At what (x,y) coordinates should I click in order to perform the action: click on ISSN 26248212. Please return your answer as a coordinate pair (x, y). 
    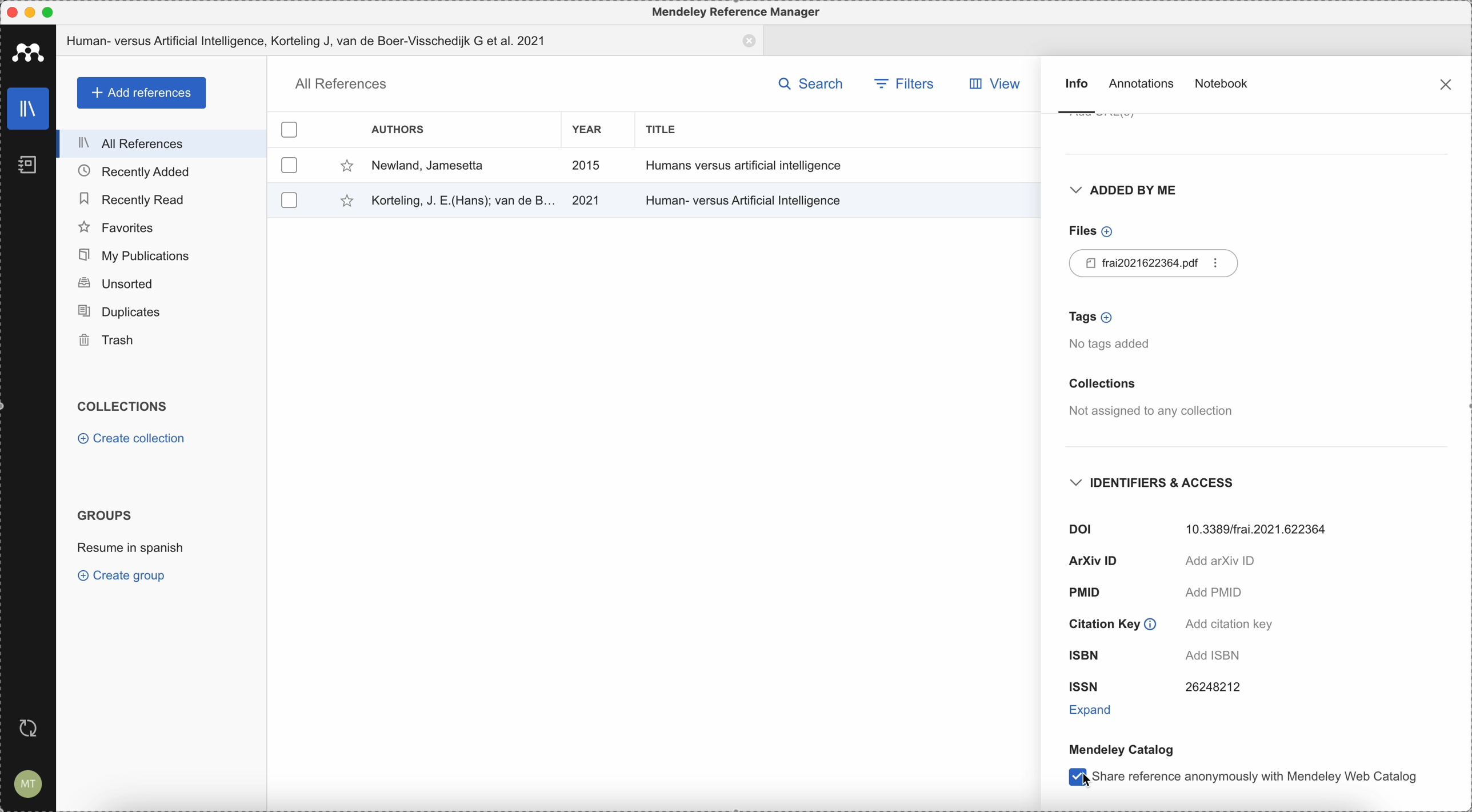
    Looking at the image, I should click on (1154, 687).